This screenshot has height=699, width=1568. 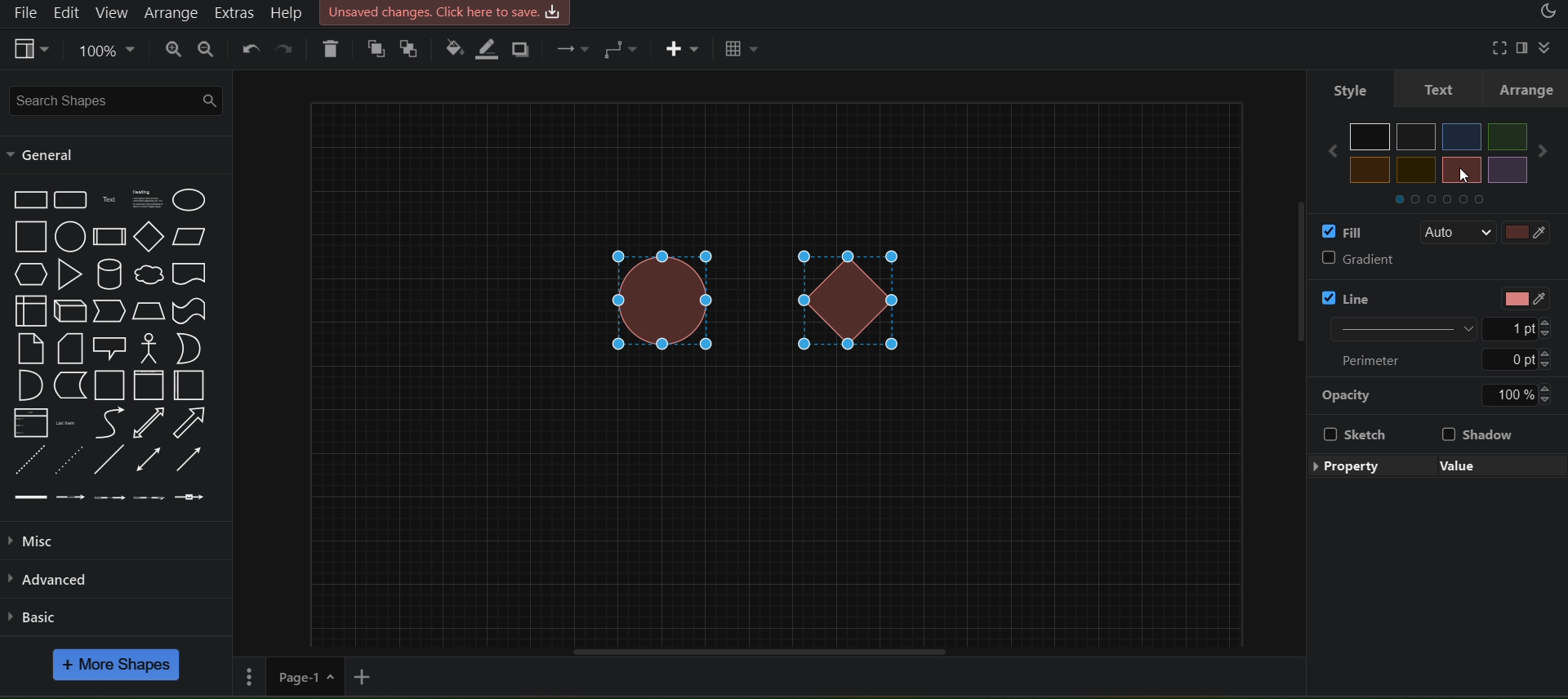 What do you see at coordinates (70, 311) in the screenshot?
I see `Cube` at bounding box center [70, 311].